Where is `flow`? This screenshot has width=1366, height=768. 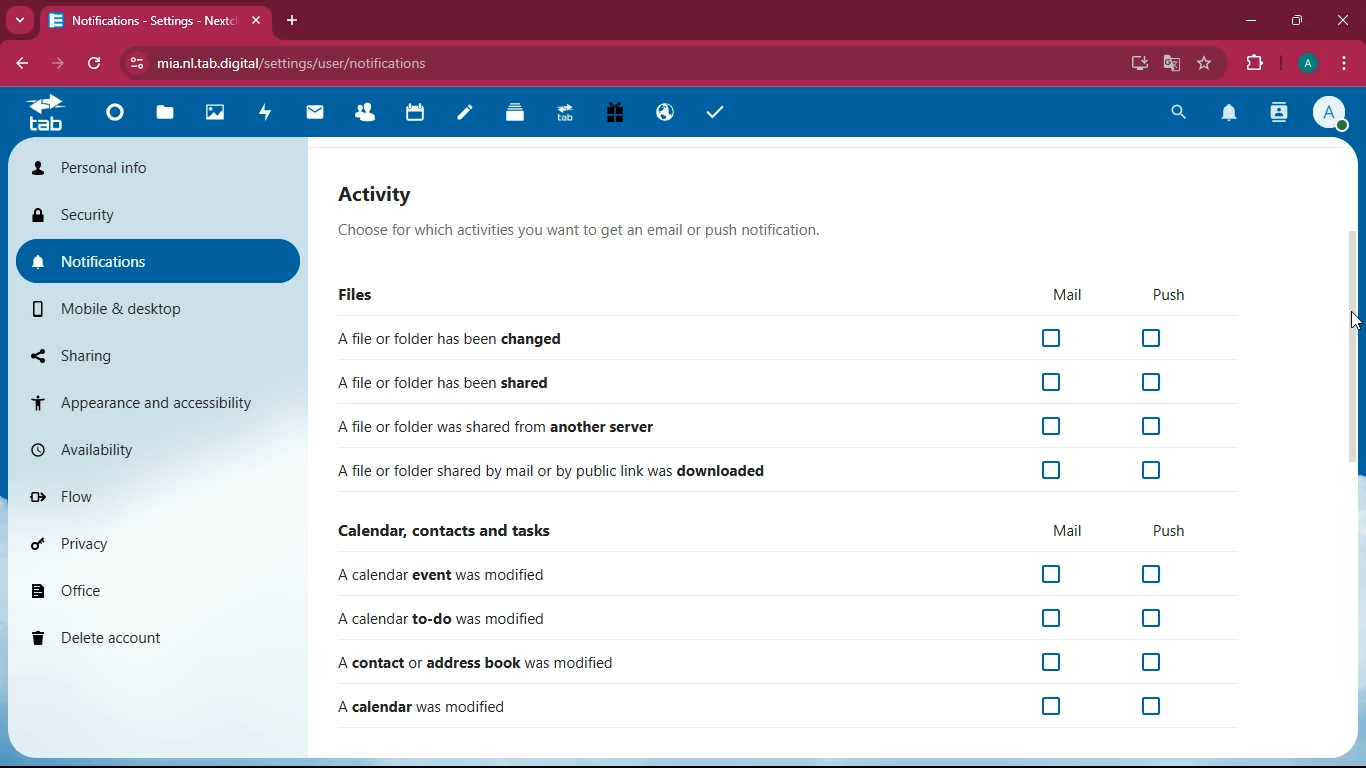 flow is located at coordinates (159, 498).